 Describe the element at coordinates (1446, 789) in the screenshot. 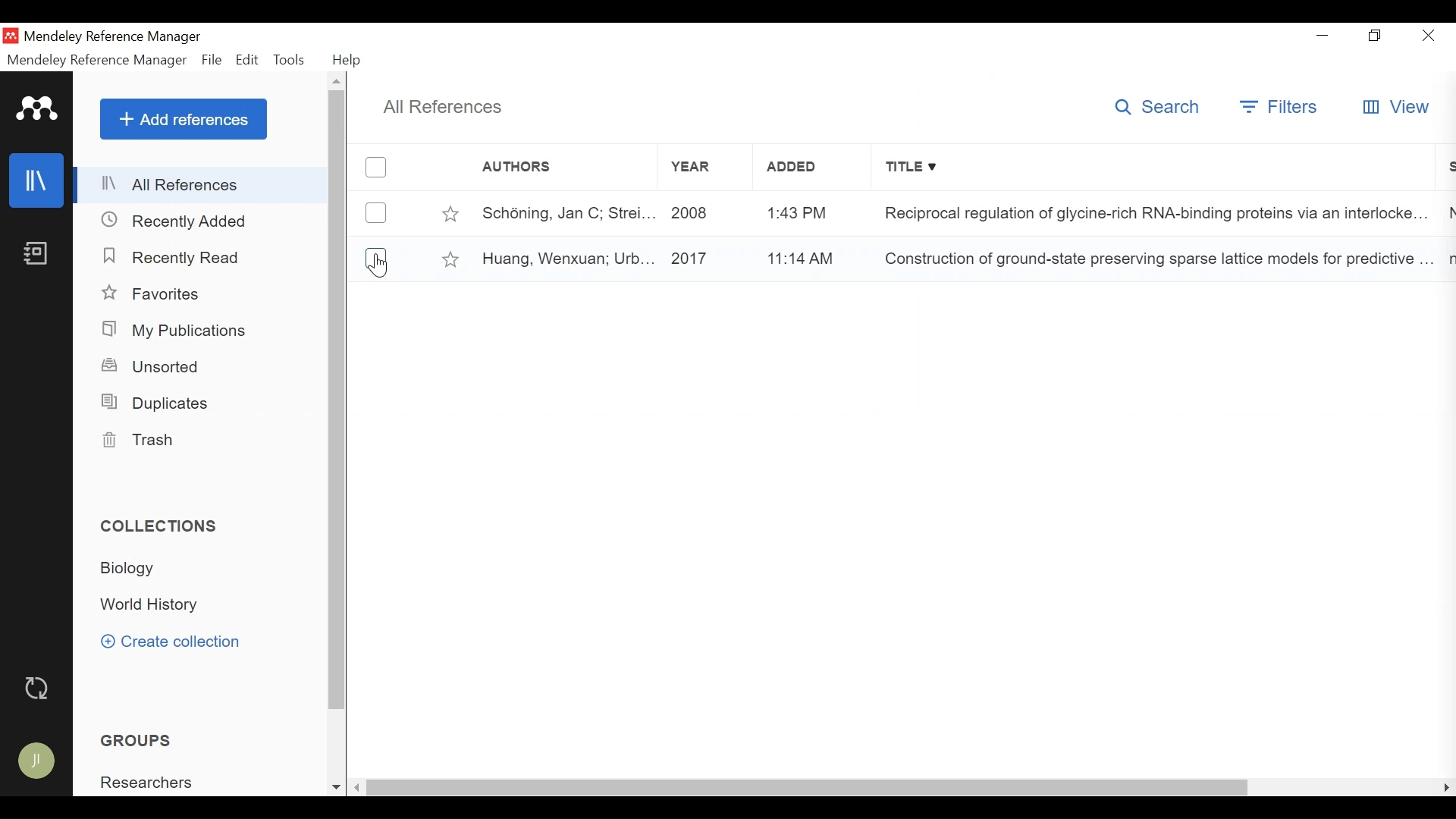

I see `Scroll Right` at that location.